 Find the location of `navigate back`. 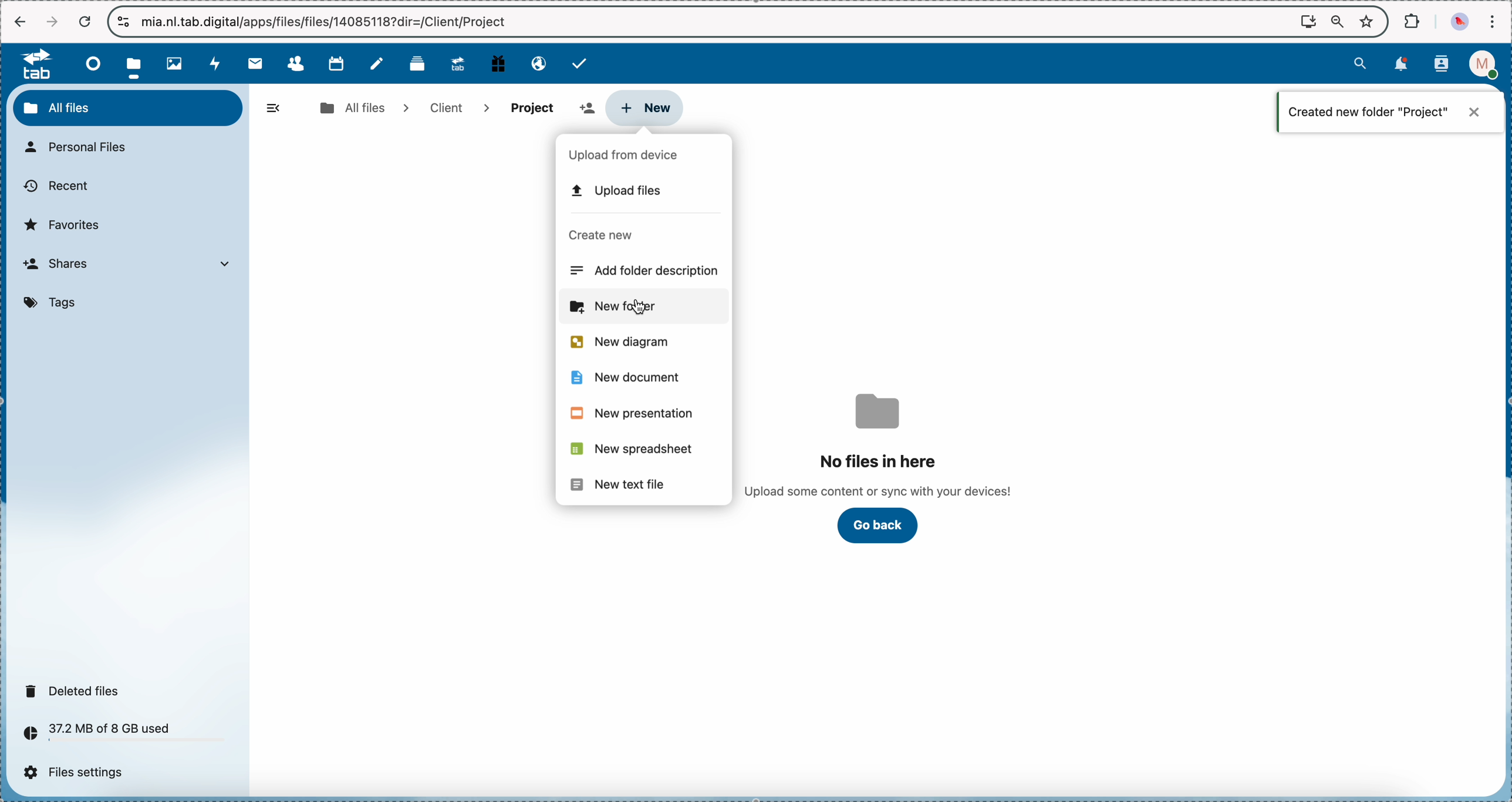

navigate back is located at coordinates (21, 23).